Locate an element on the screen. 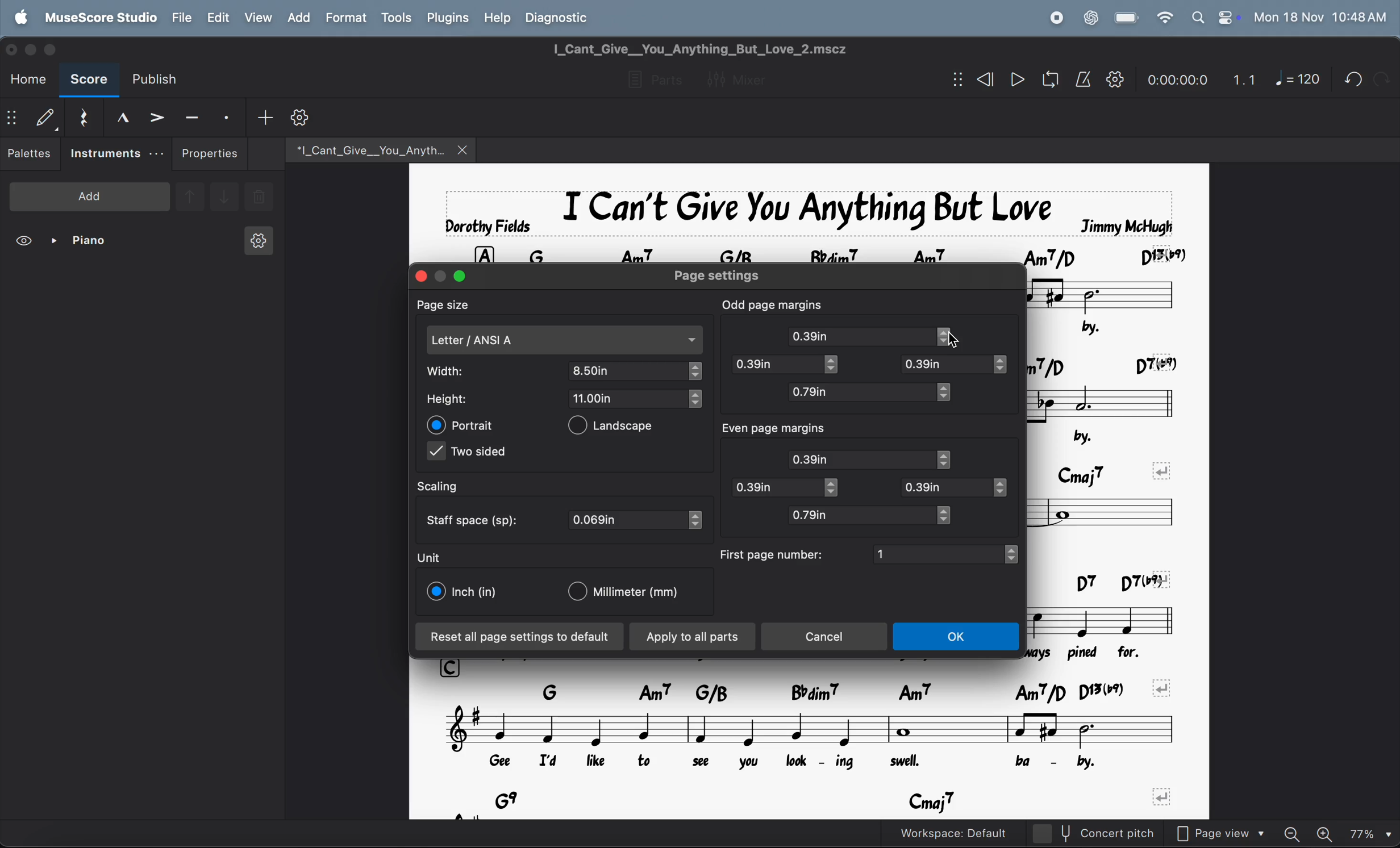  rewind is located at coordinates (983, 80).